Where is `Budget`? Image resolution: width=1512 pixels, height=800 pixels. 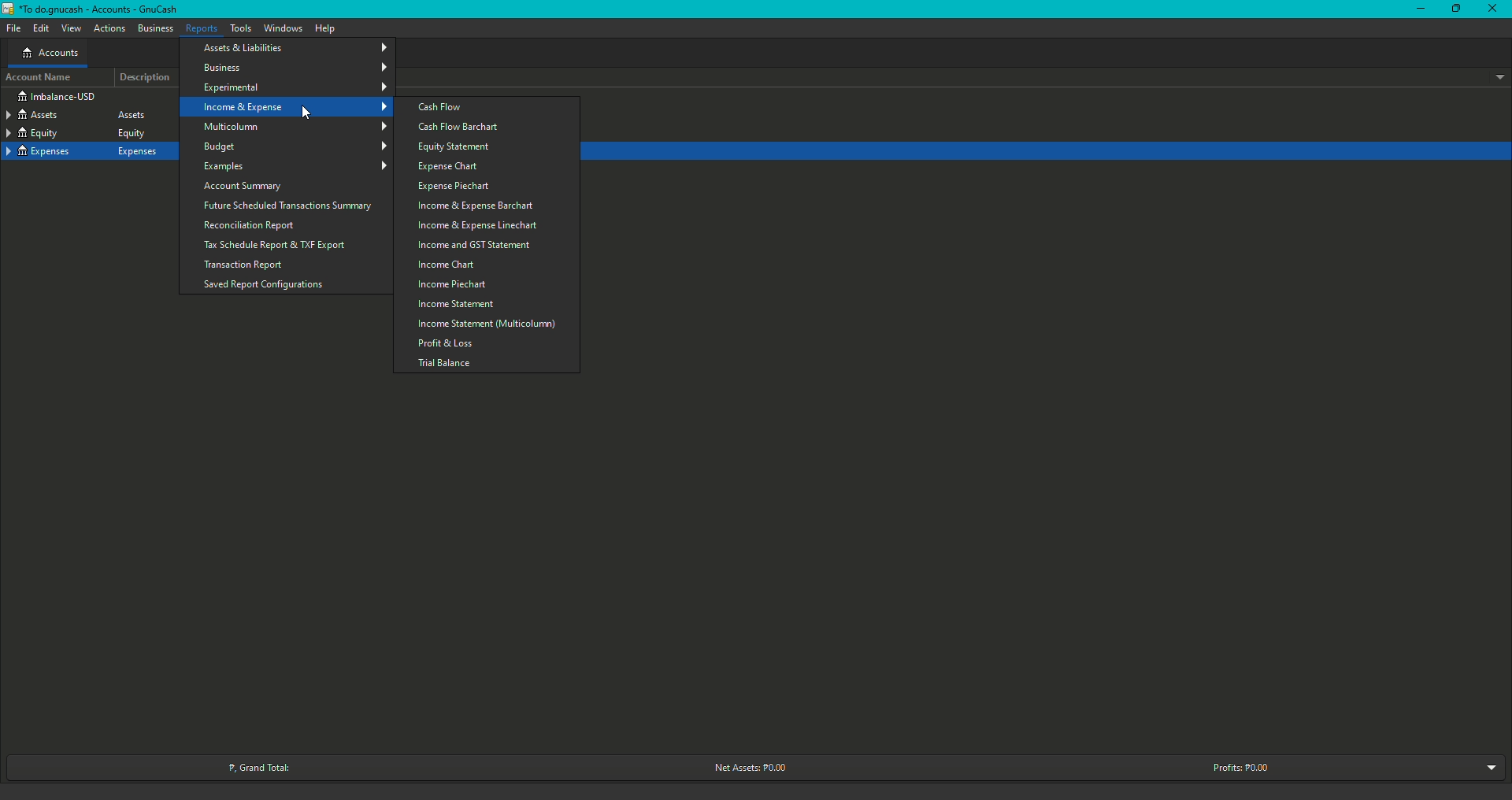 Budget is located at coordinates (296, 146).